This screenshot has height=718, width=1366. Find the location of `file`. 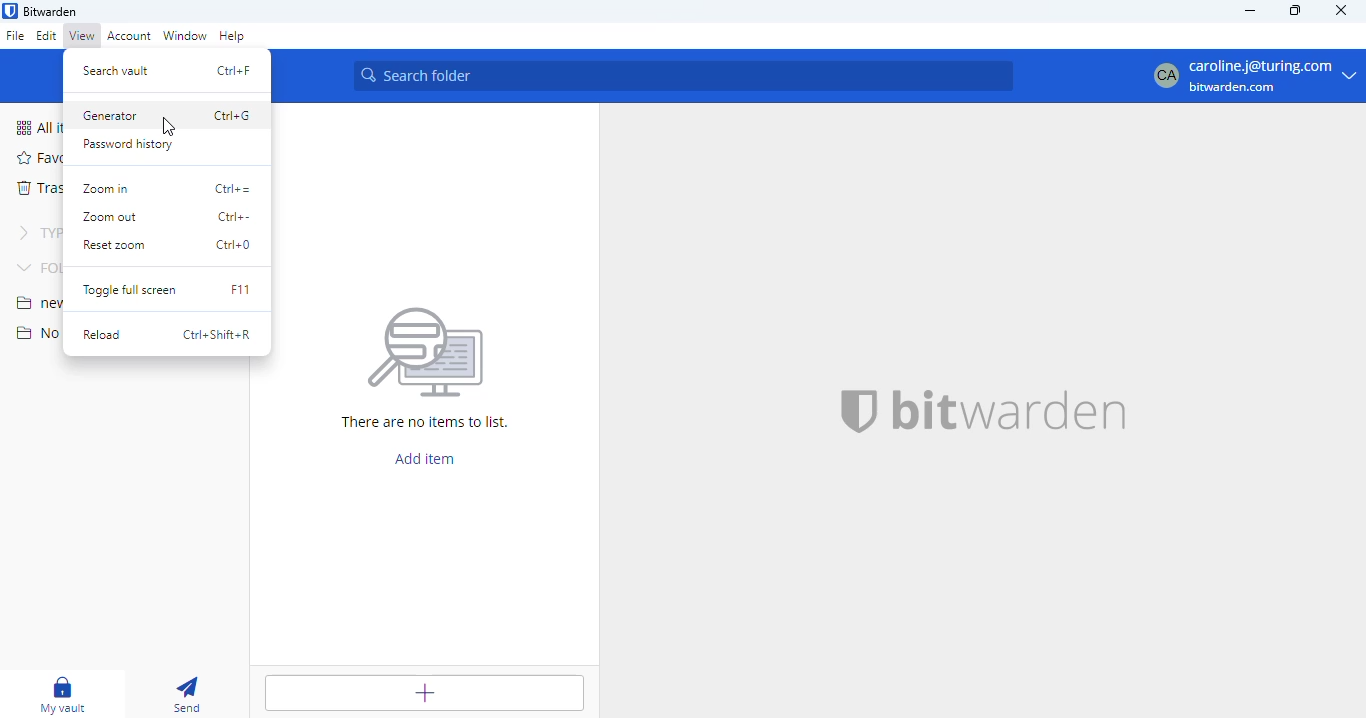

file is located at coordinates (15, 35).